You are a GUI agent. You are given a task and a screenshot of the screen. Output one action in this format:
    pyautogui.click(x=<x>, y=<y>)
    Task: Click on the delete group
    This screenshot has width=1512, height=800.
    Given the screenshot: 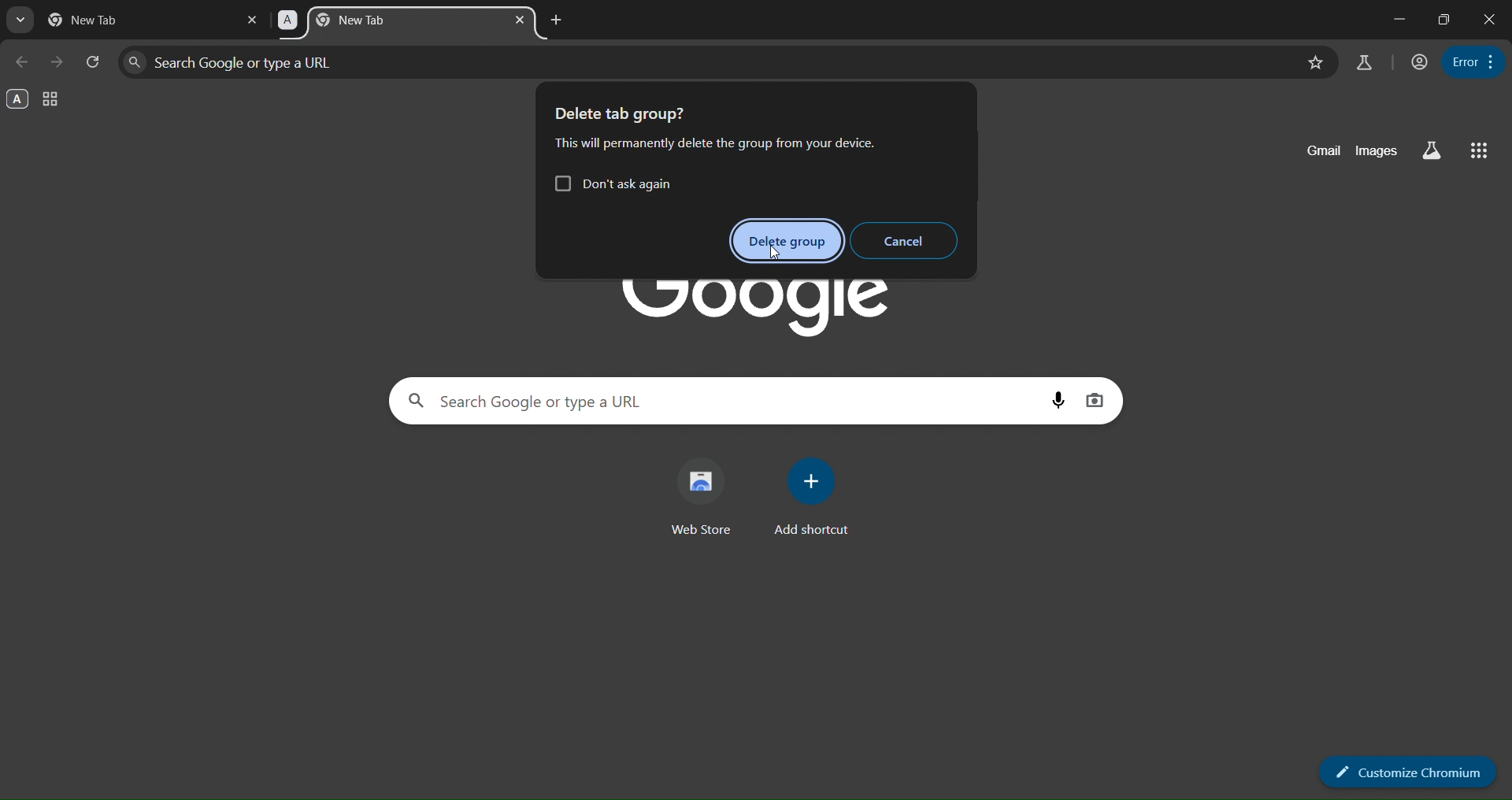 What is the action you would take?
    pyautogui.click(x=787, y=242)
    